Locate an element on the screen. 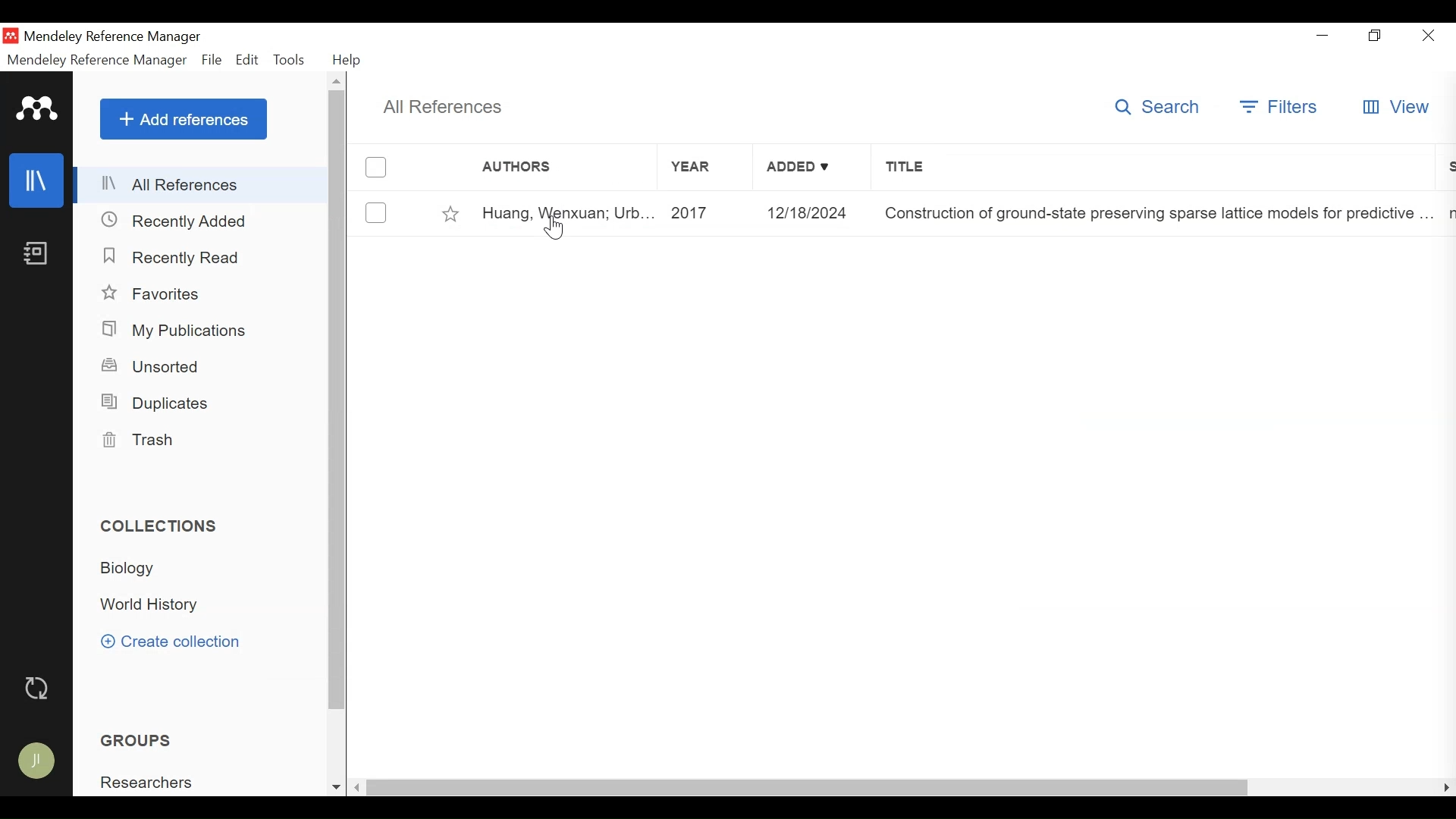  Edit is located at coordinates (247, 60).